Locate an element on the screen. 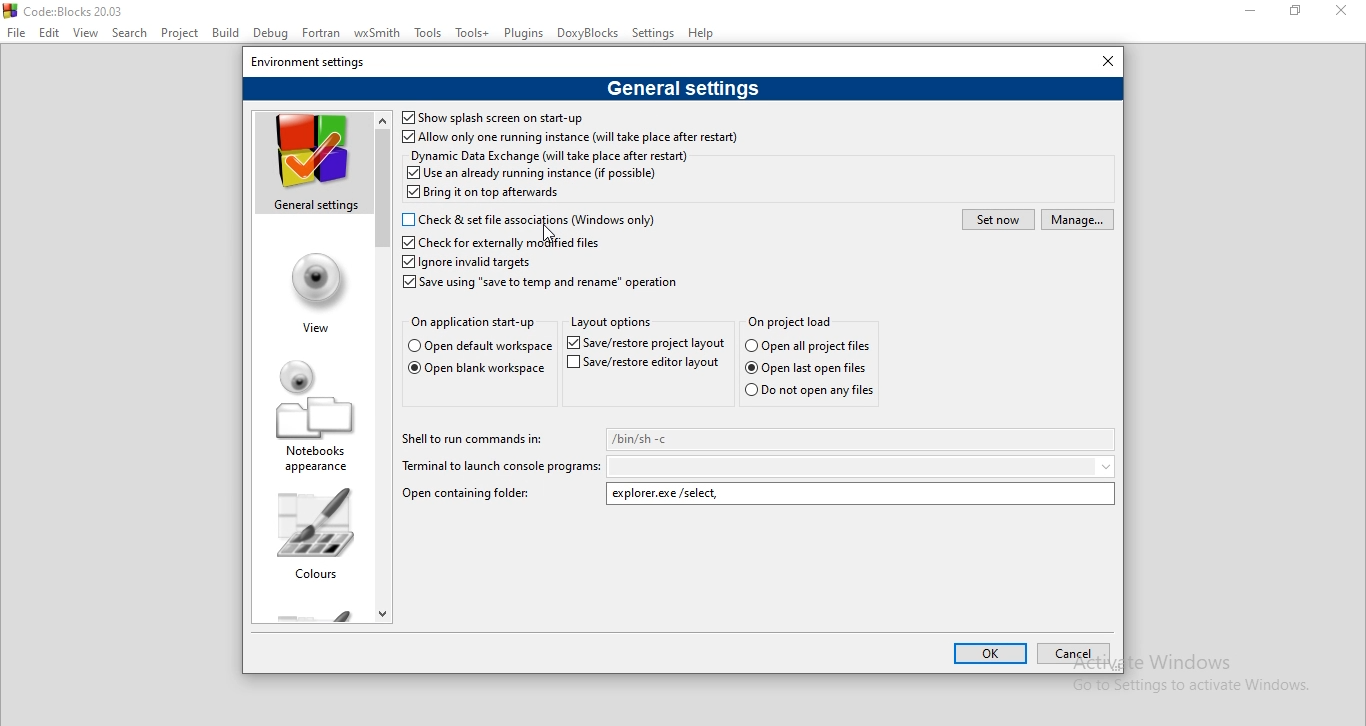 The width and height of the screenshot is (1366, 726). explorer.exe/select is located at coordinates (861, 494).